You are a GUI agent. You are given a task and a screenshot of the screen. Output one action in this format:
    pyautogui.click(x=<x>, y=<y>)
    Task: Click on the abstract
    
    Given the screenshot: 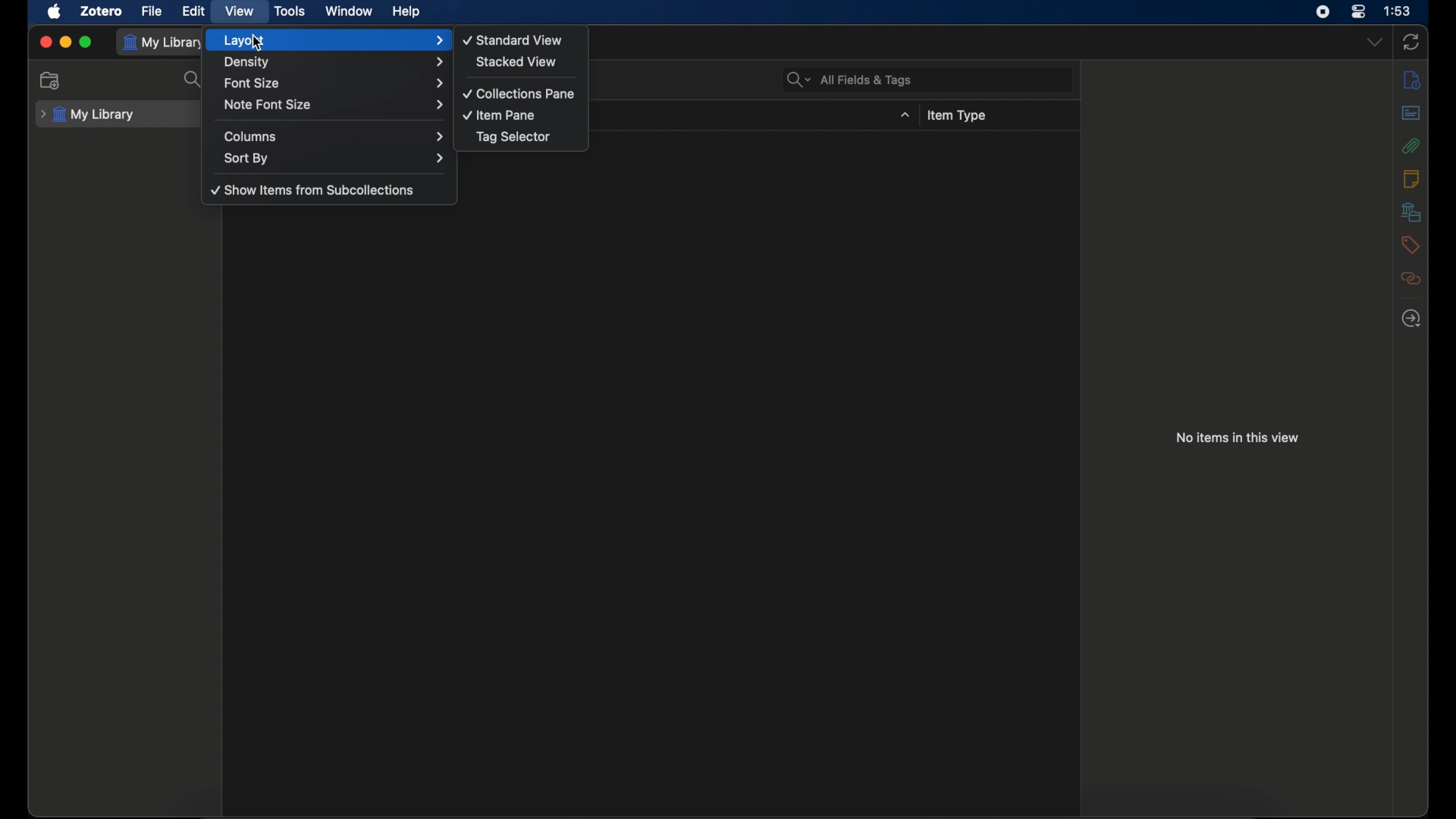 What is the action you would take?
    pyautogui.click(x=1411, y=112)
    